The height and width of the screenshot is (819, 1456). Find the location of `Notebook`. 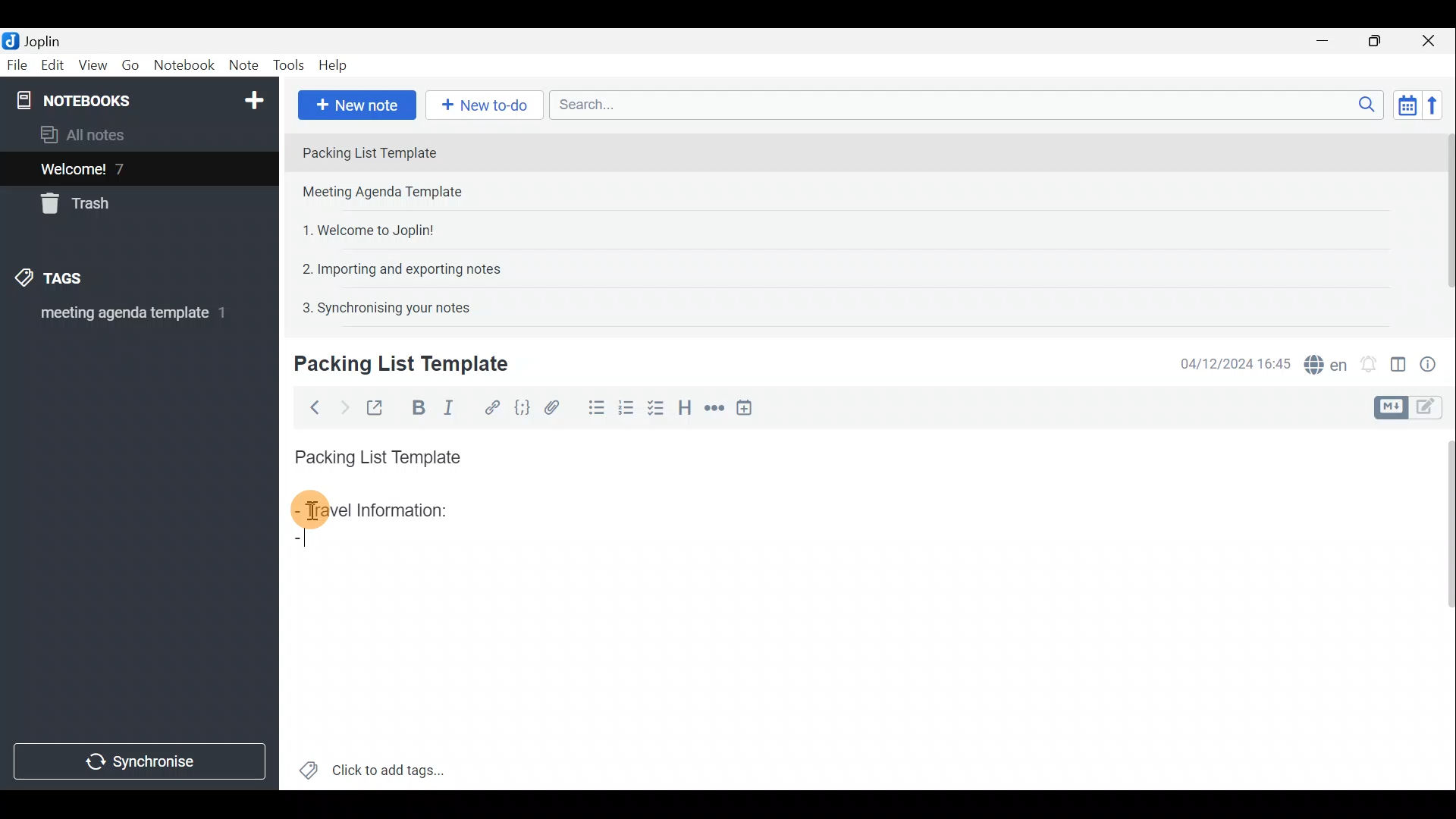

Notebook is located at coordinates (184, 67).